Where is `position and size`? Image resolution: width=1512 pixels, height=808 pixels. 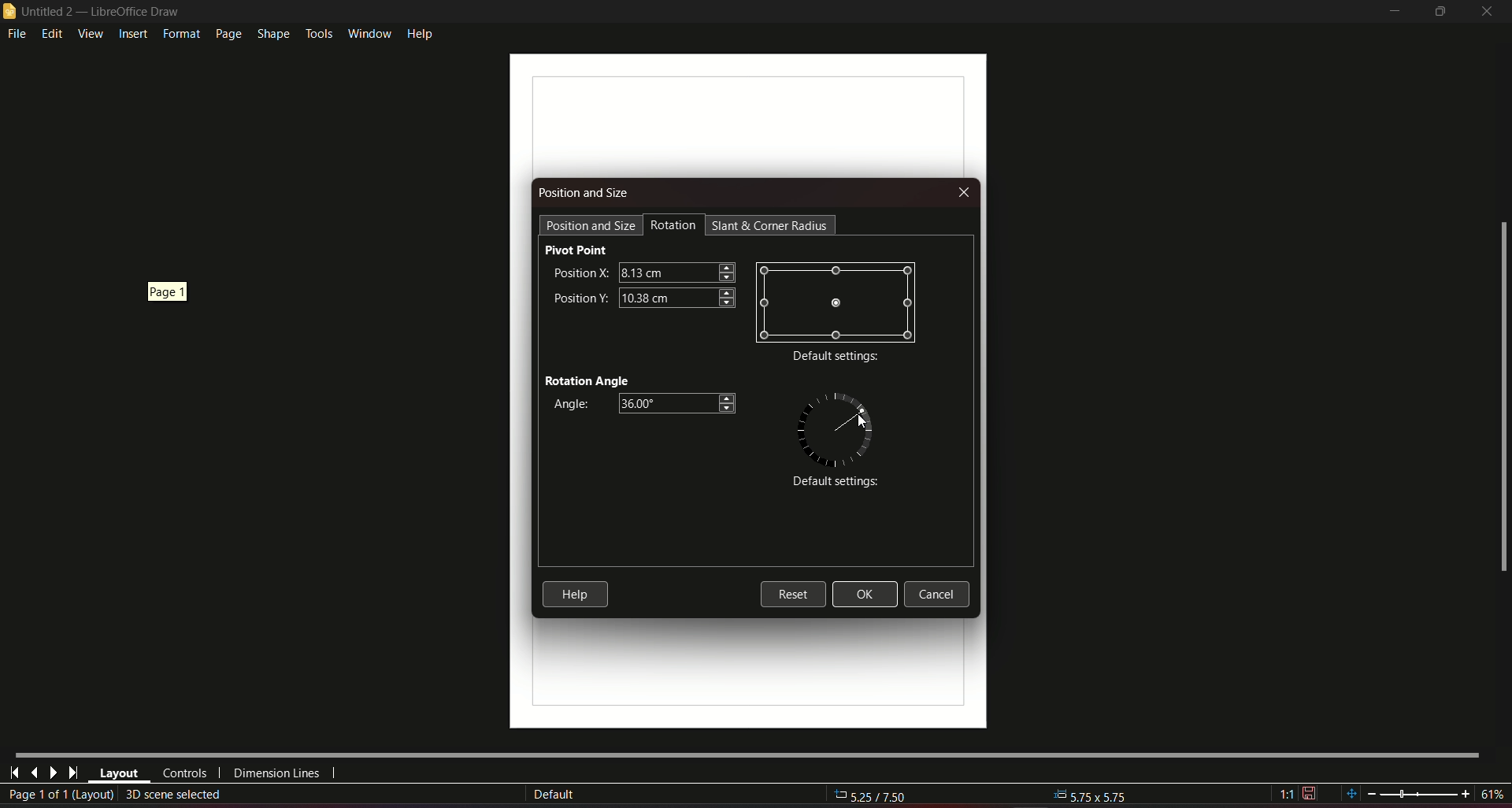
position and size is located at coordinates (591, 224).